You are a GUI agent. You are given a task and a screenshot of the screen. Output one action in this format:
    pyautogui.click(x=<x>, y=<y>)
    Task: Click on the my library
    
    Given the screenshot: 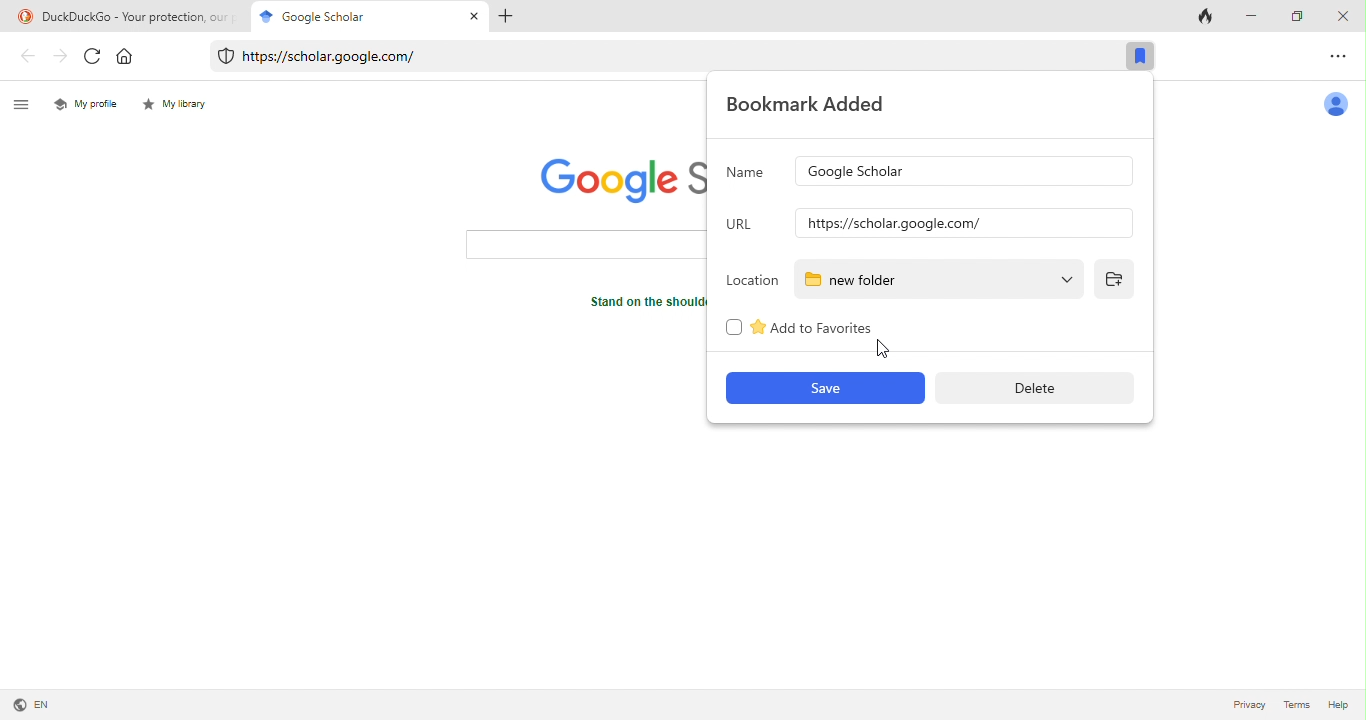 What is the action you would take?
    pyautogui.click(x=181, y=108)
    